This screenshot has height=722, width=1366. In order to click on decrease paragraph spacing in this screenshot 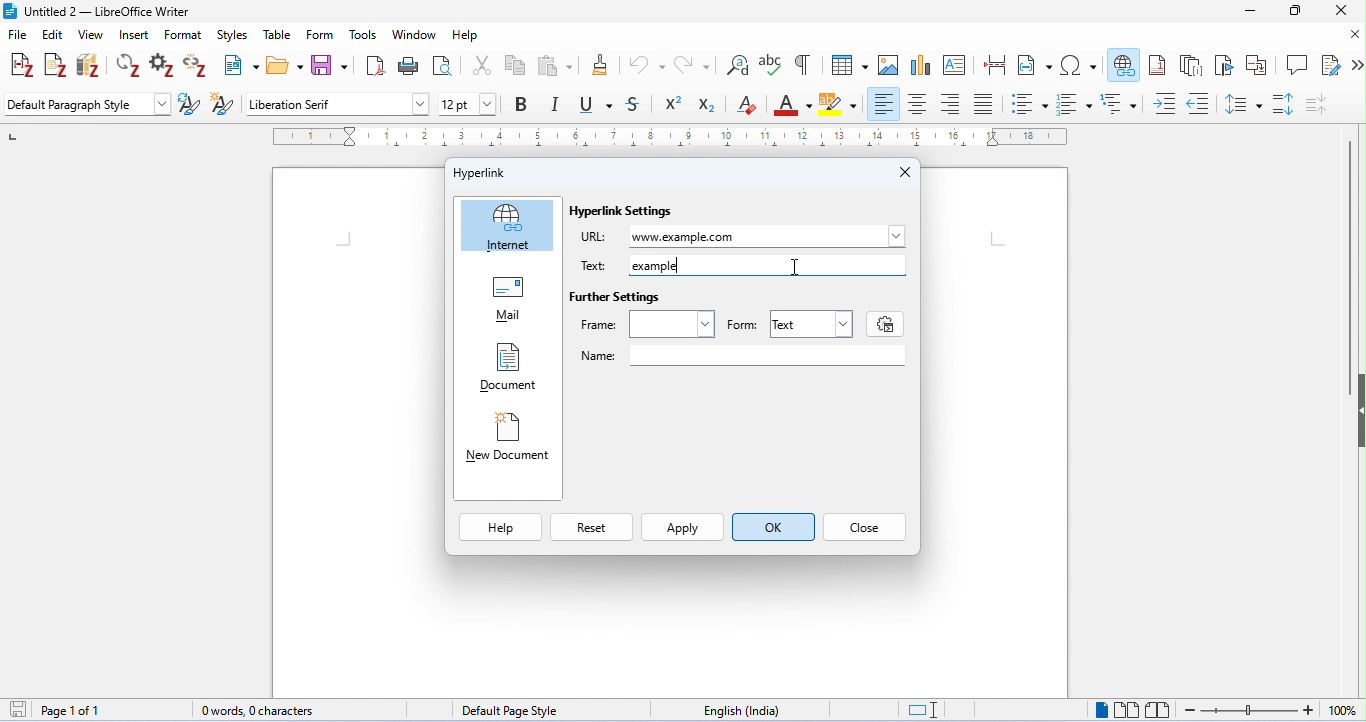, I will do `click(1316, 103)`.